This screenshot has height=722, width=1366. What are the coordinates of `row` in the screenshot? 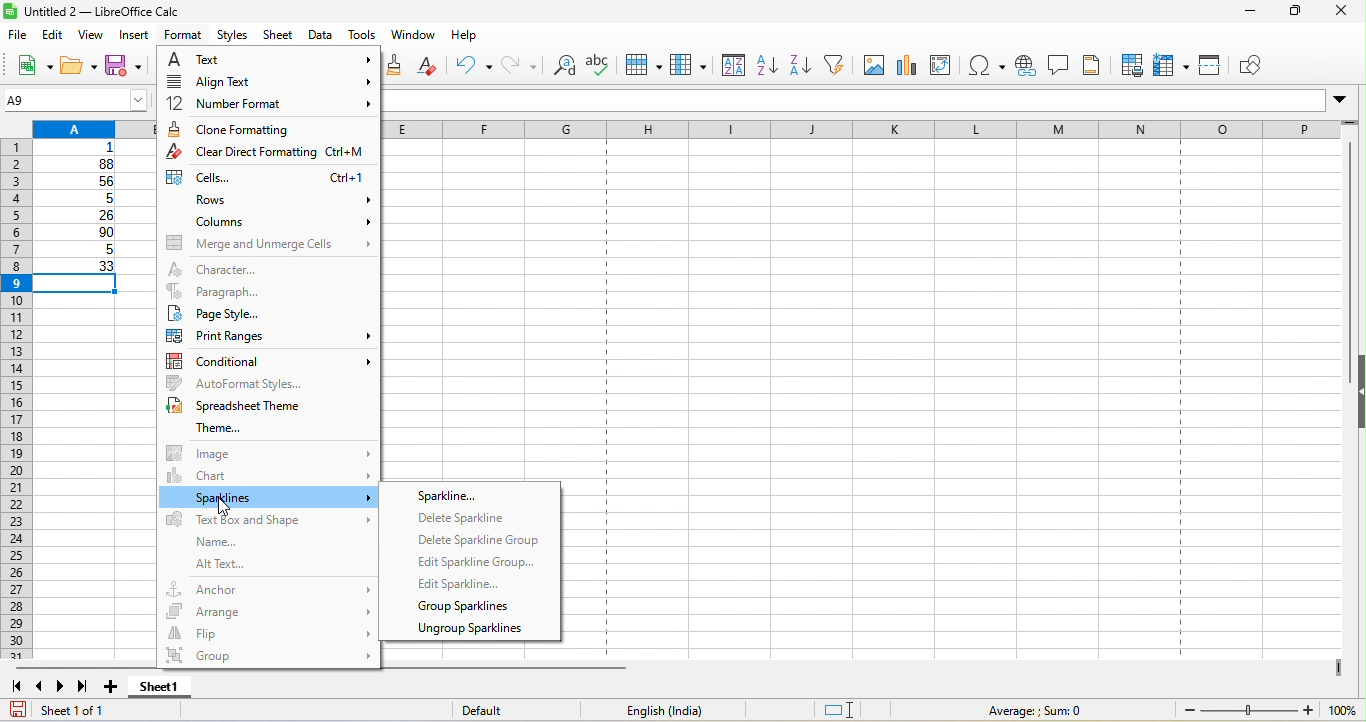 It's located at (641, 67).